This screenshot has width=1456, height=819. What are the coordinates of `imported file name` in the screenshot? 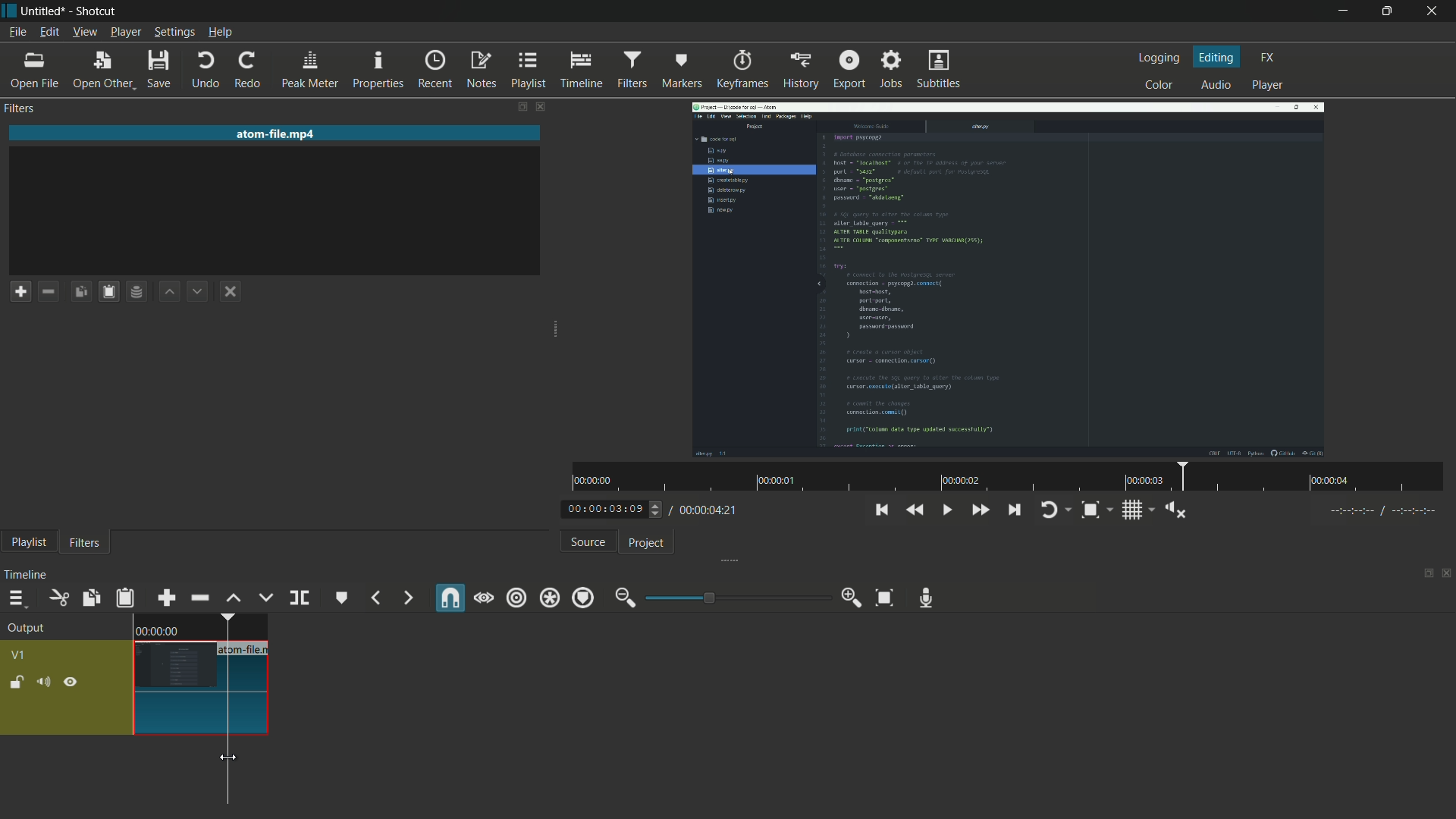 It's located at (277, 133).